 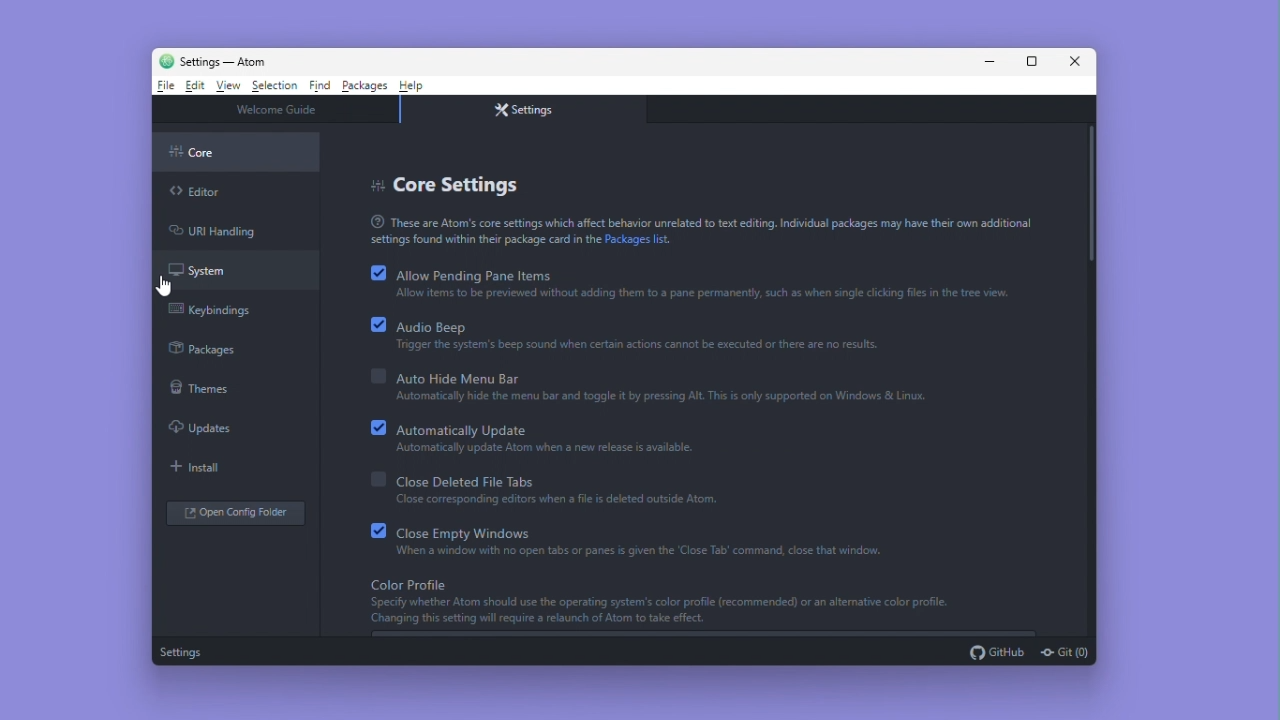 What do you see at coordinates (228, 191) in the screenshot?
I see `editor` at bounding box center [228, 191].